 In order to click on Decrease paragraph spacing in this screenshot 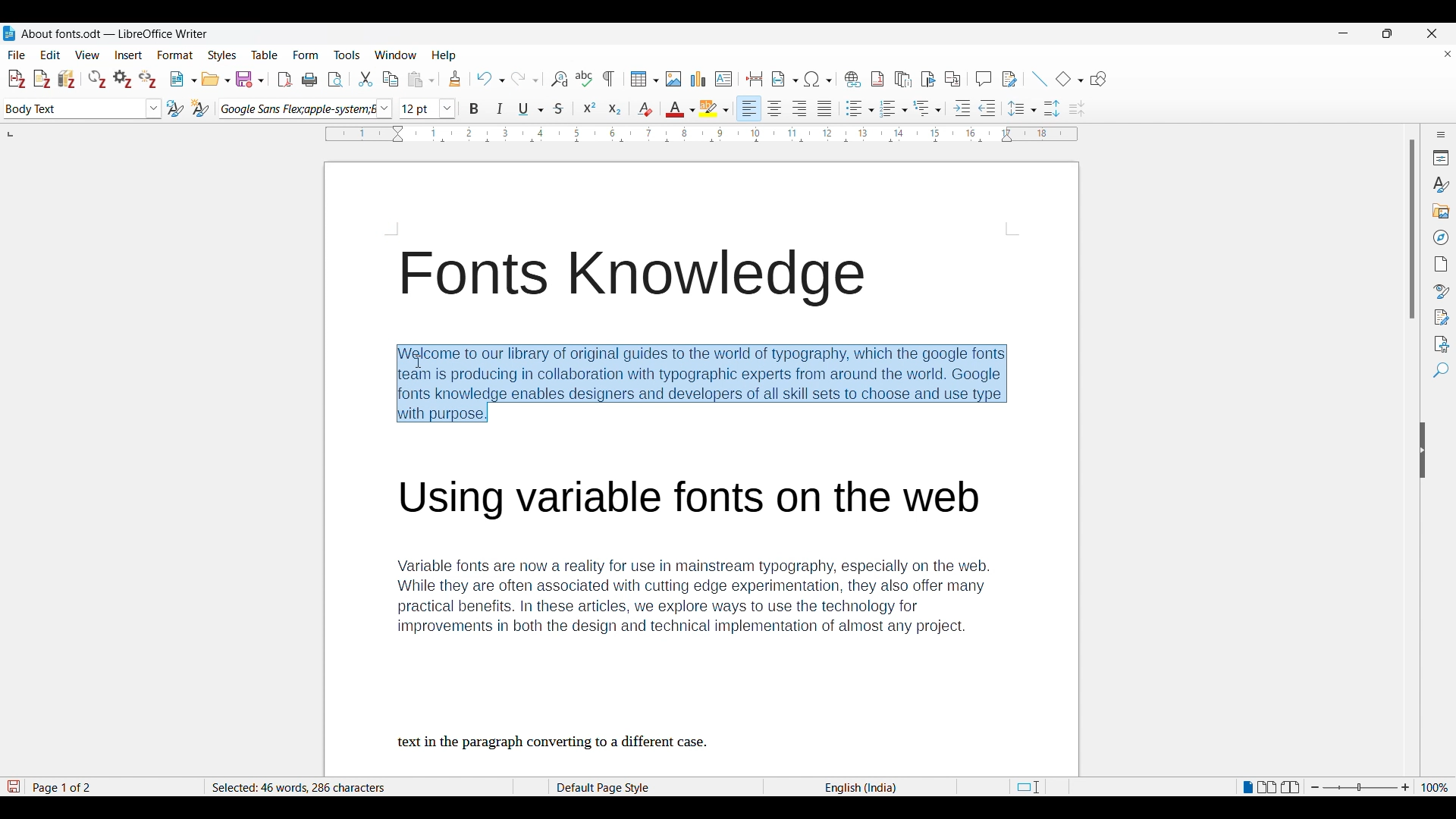, I will do `click(1078, 109)`.